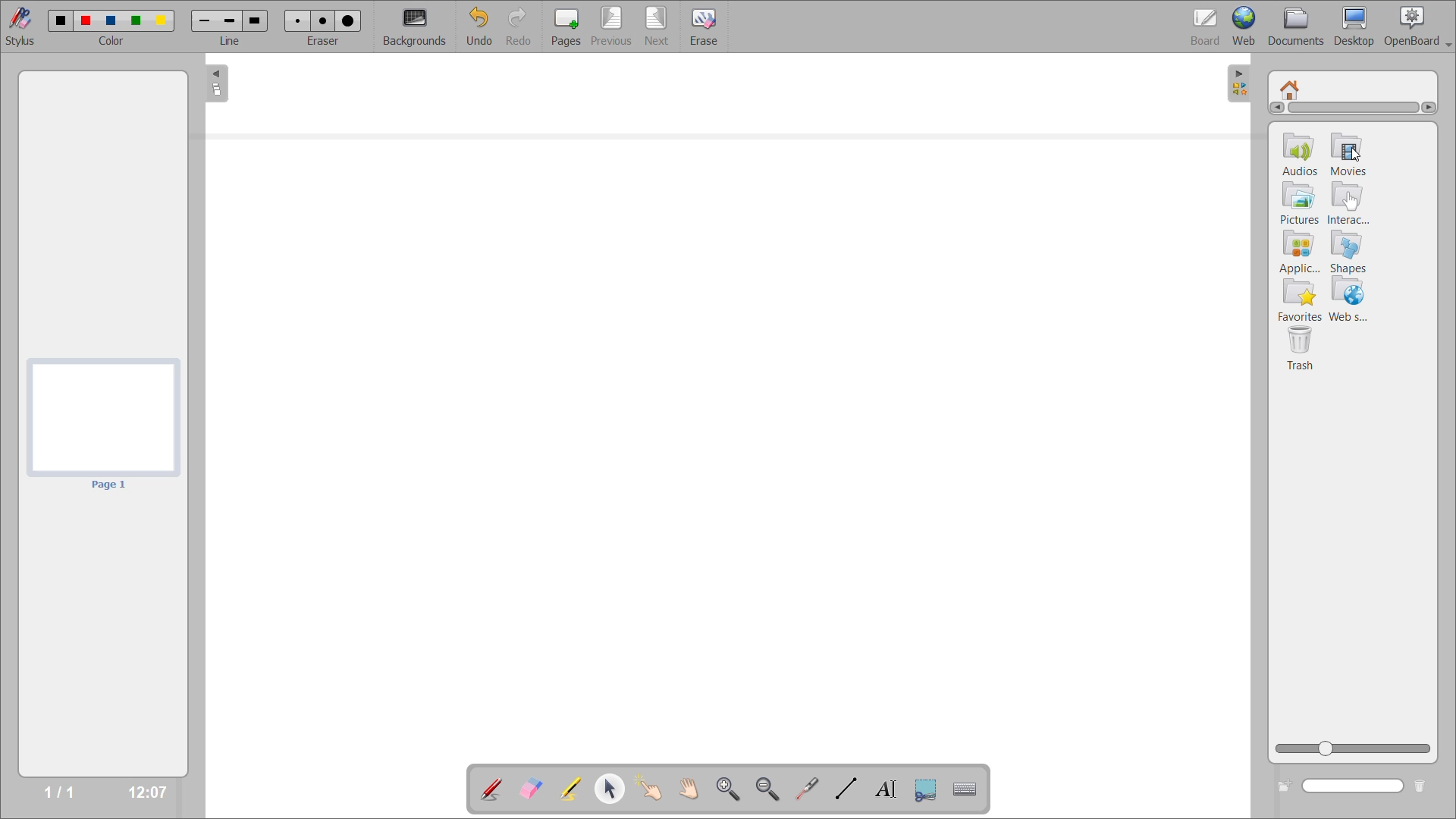 This screenshot has width=1456, height=819. What do you see at coordinates (258, 22) in the screenshot?
I see `Large line` at bounding box center [258, 22].